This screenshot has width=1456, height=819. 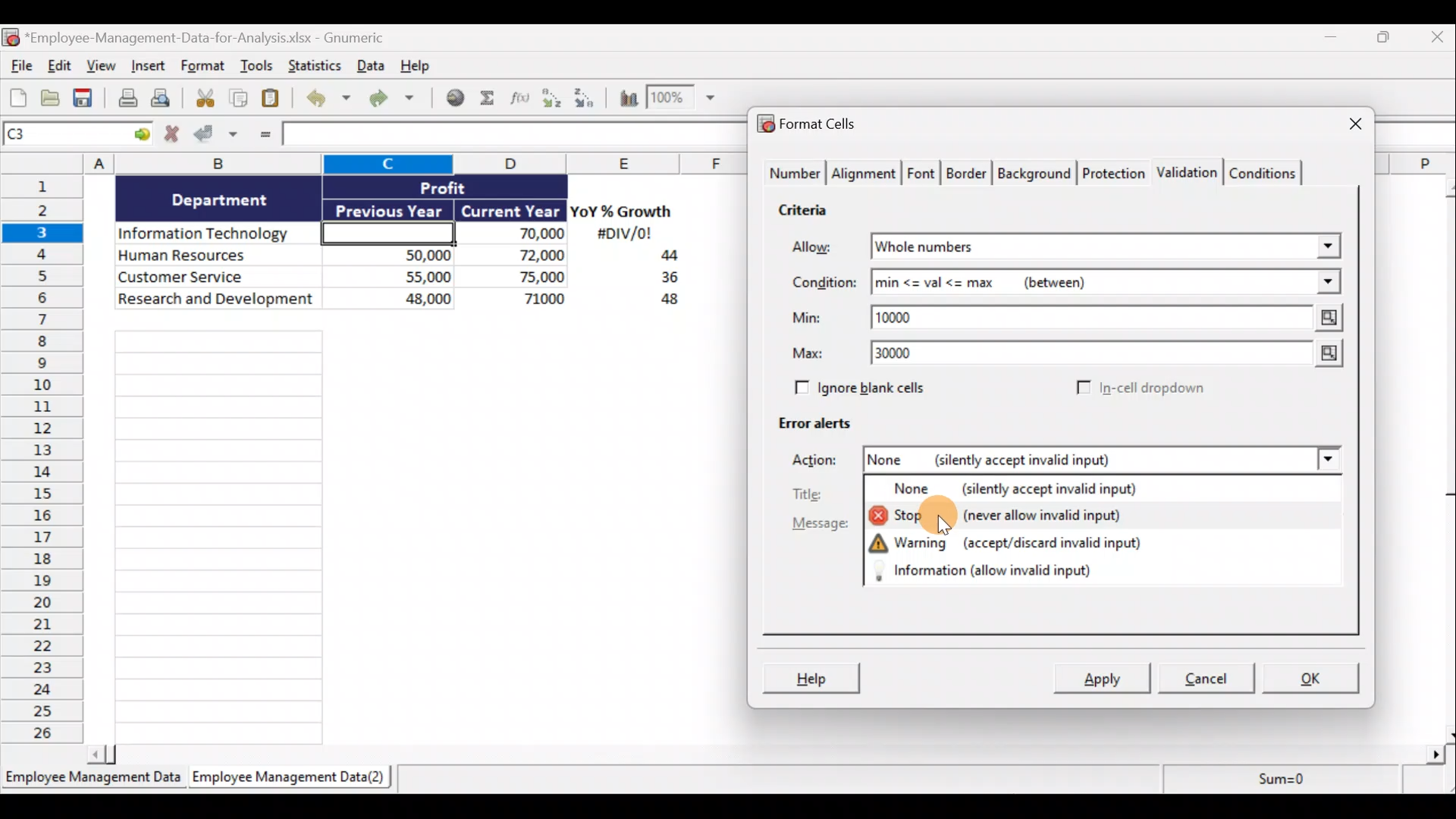 What do you see at coordinates (172, 136) in the screenshot?
I see `Cancel changes` at bounding box center [172, 136].